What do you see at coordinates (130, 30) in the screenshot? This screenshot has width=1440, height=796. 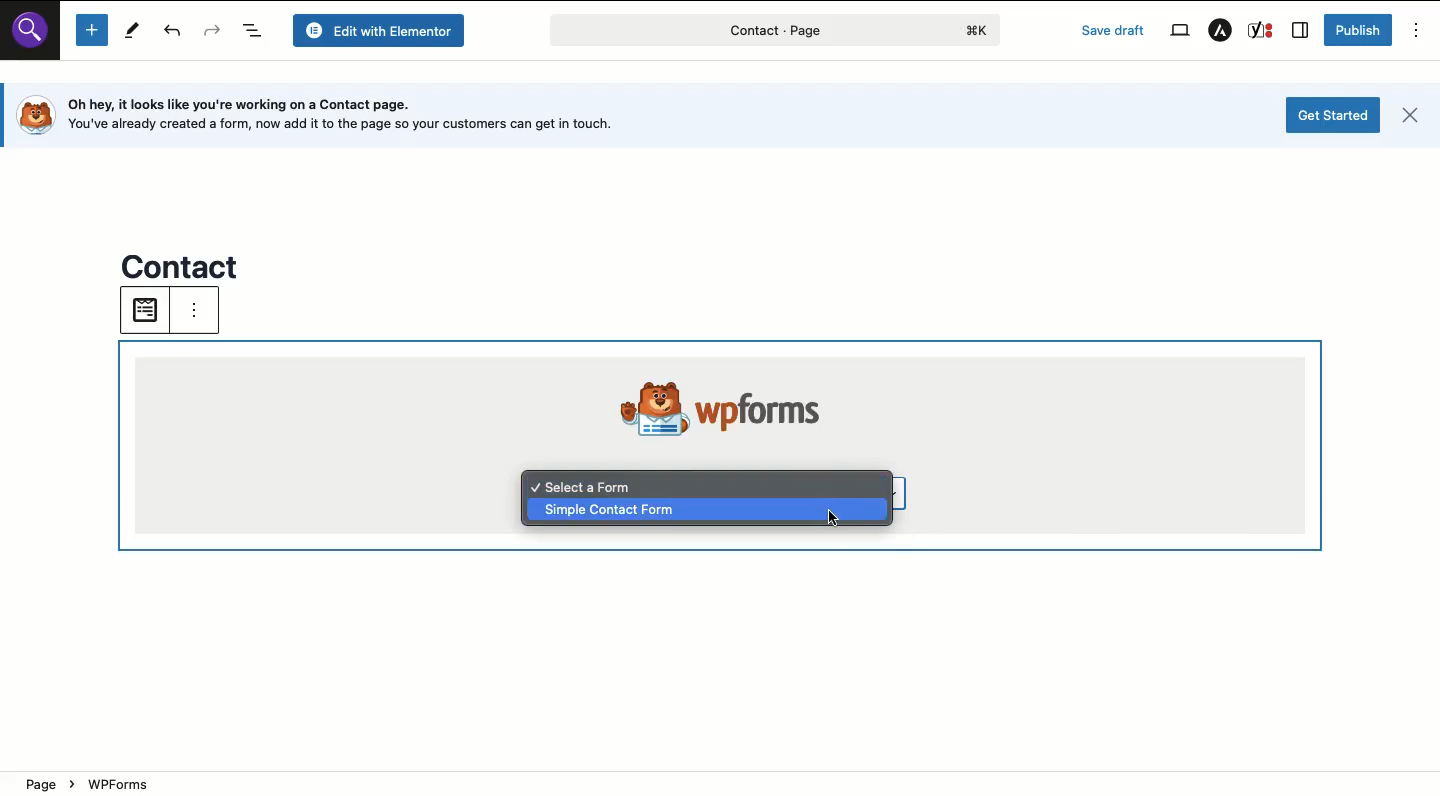 I see `Tools` at bounding box center [130, 30].